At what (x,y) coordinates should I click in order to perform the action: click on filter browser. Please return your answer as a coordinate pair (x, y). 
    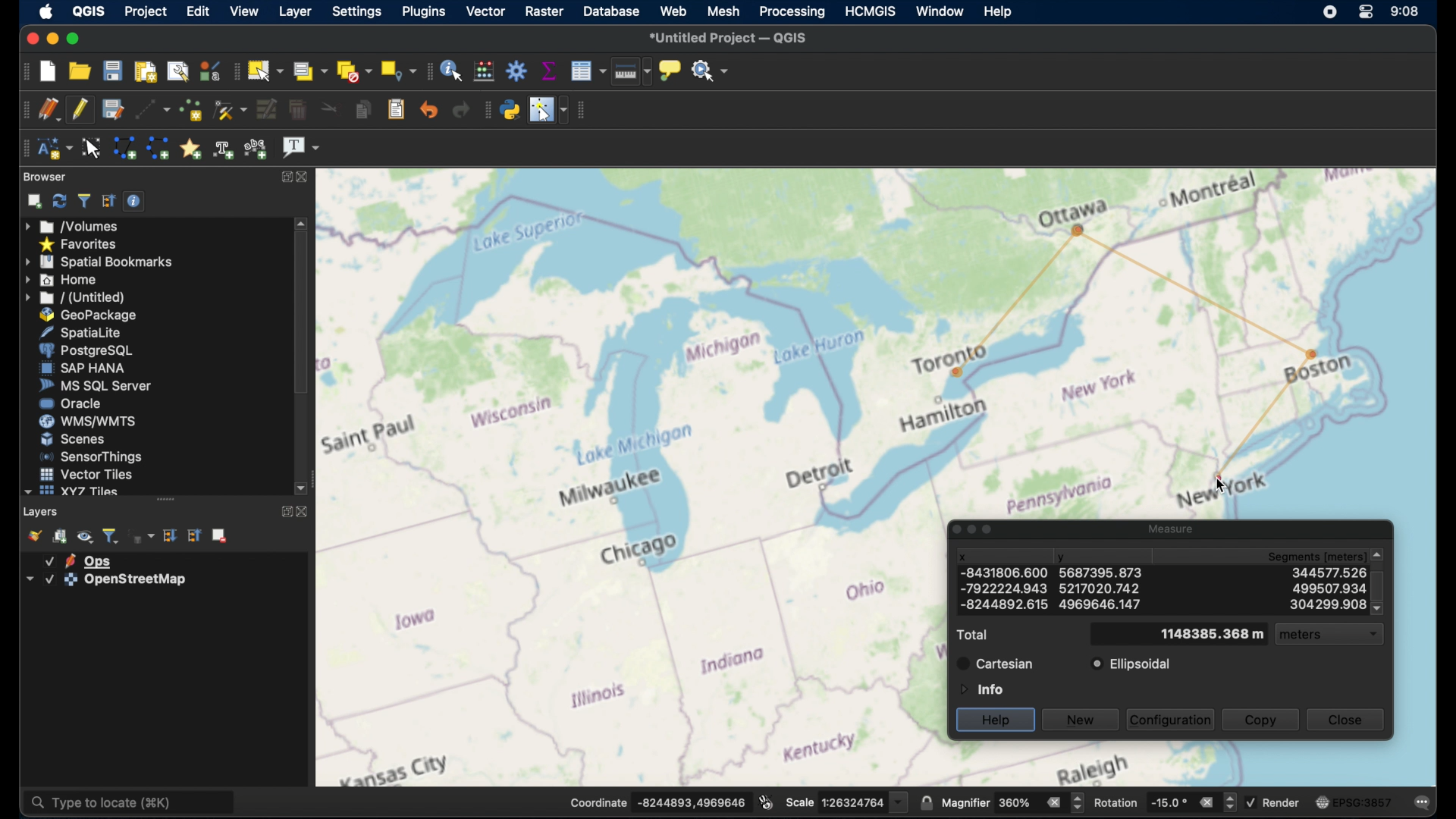
    Looking at the image, I should click on (83, 200).